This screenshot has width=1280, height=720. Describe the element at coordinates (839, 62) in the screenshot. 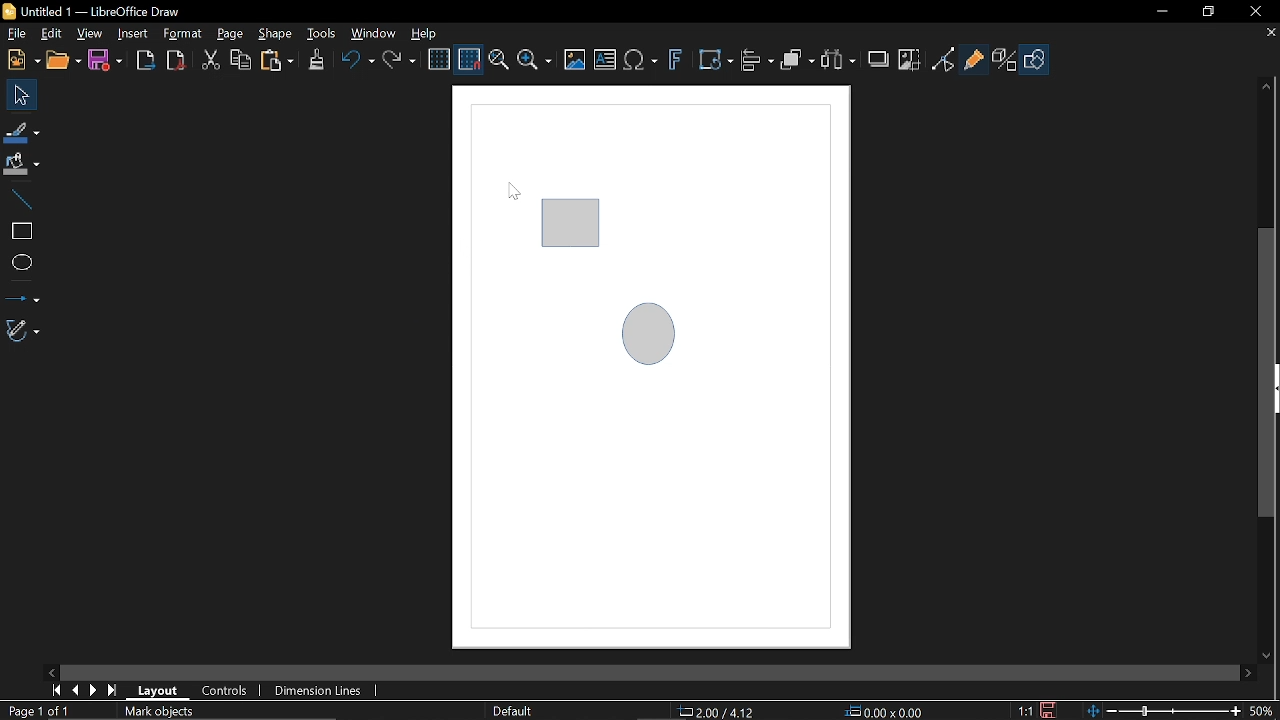

I see `Select at least three object to distribute` at that location.